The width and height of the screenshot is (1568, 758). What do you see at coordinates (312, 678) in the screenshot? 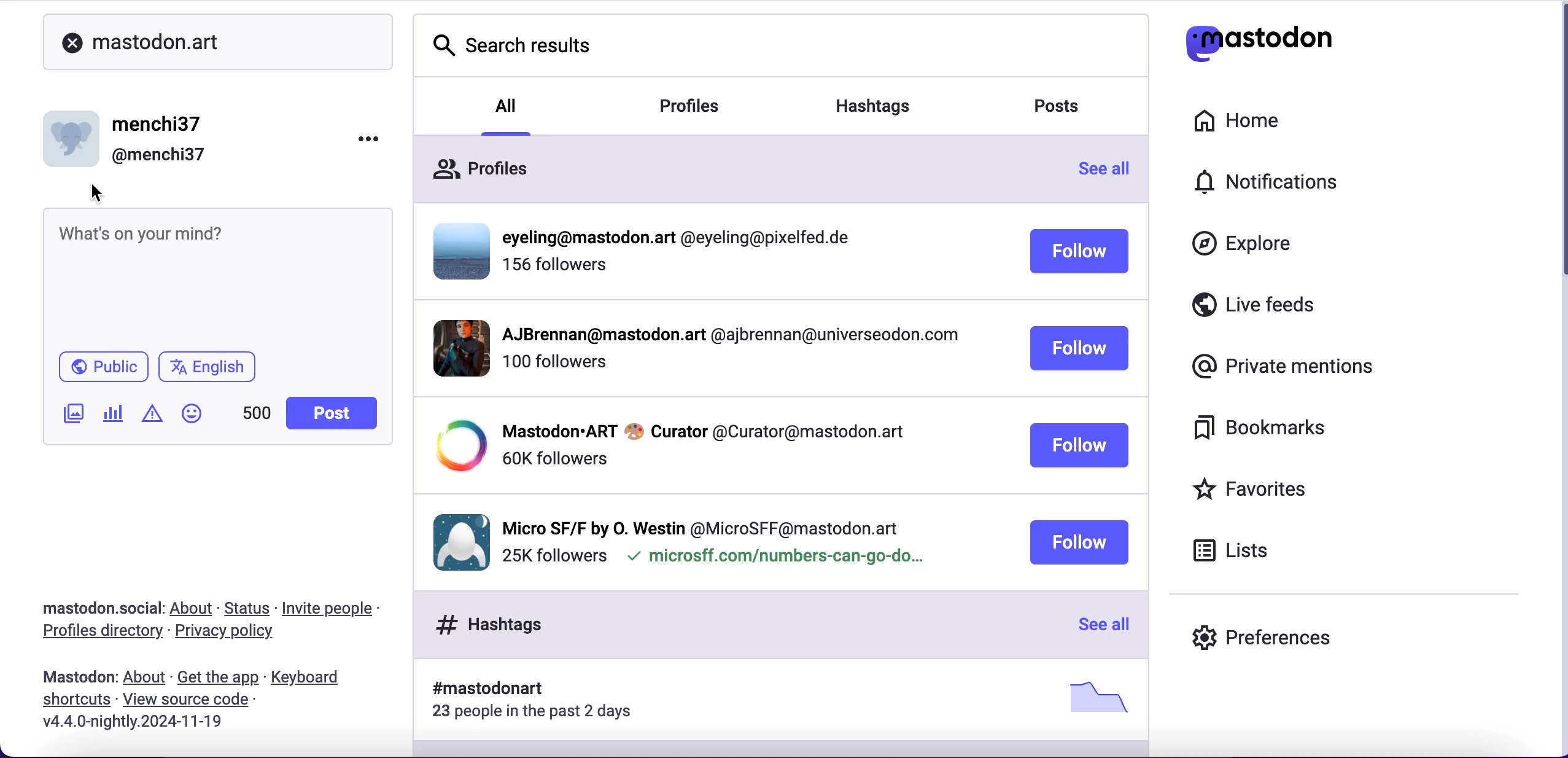
I see `keyboard` at bounding box center [312, 678].